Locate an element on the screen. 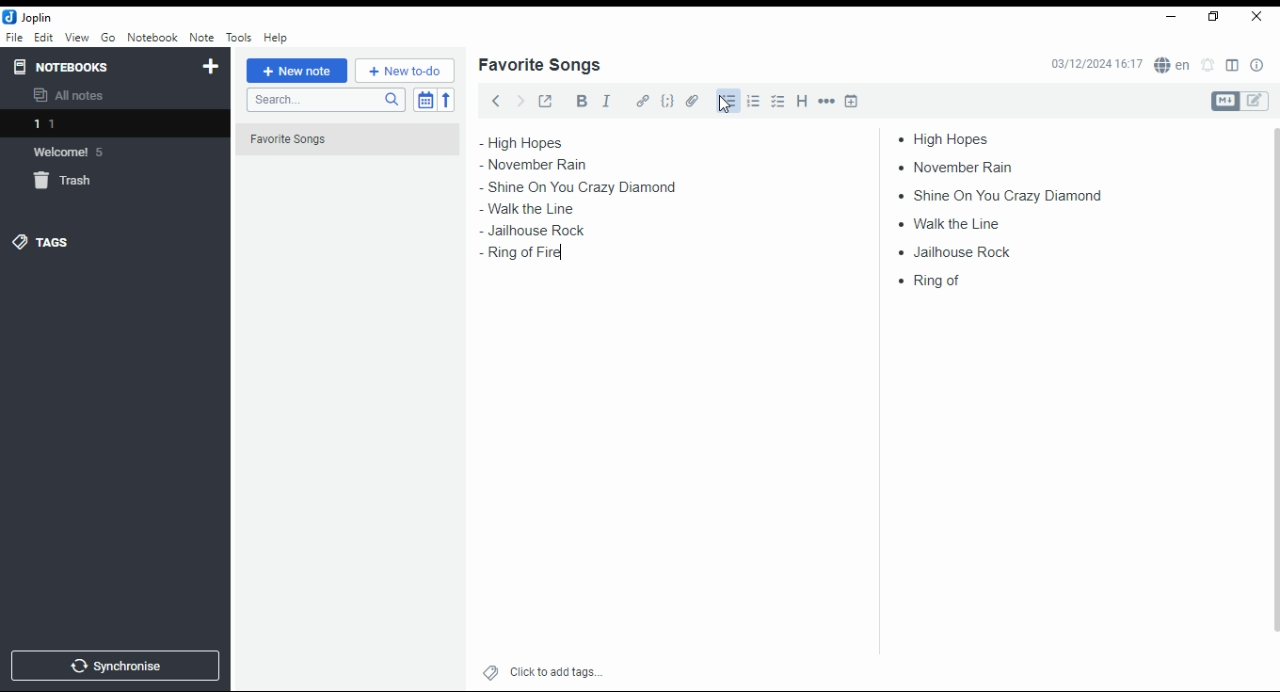 The width and height of the screenshot is (1280, 692). back is located at coordinates (496, 100).